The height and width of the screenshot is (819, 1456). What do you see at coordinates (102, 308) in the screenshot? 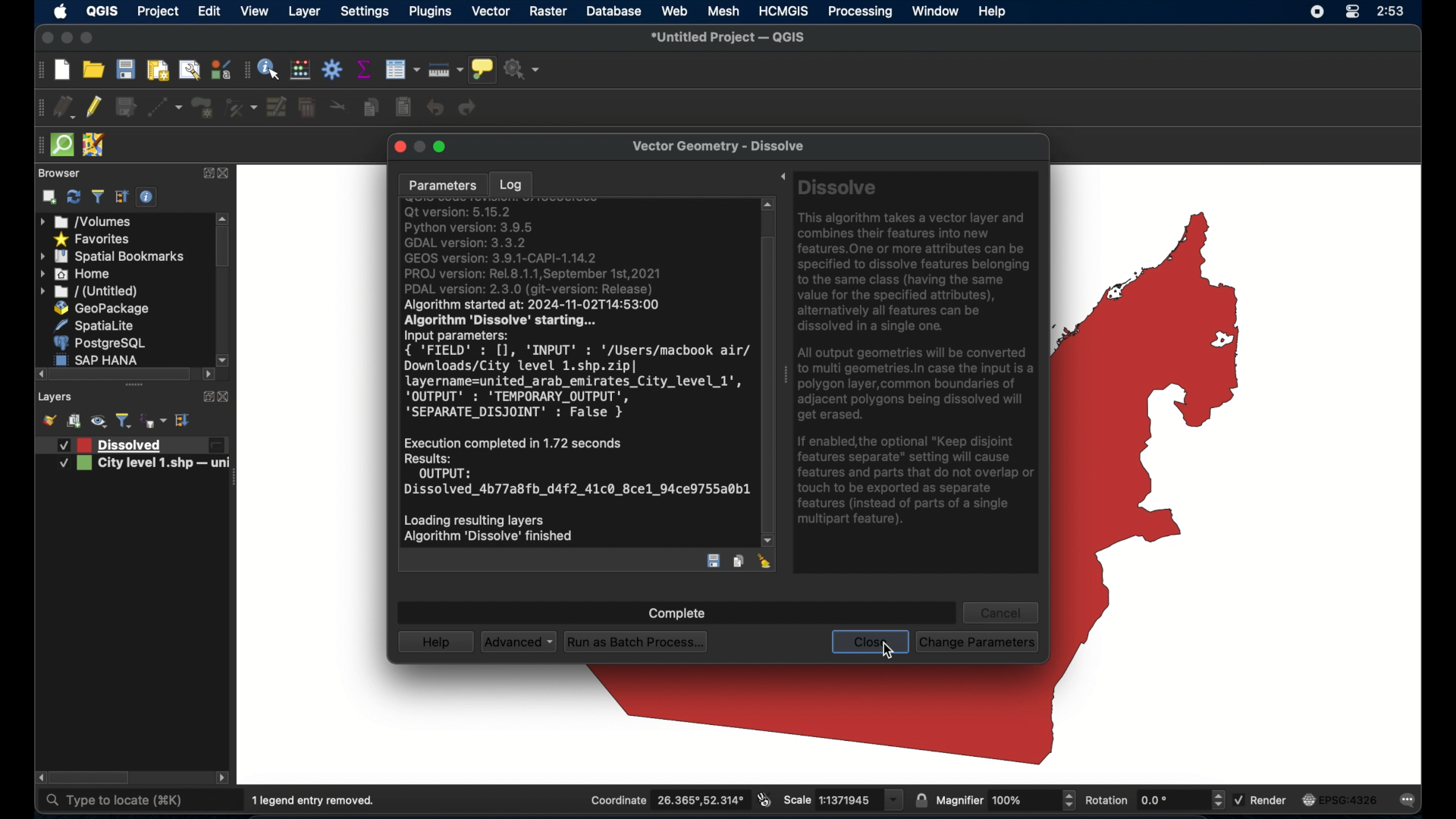
I see `geopackage` at bounding box center [102, 308].